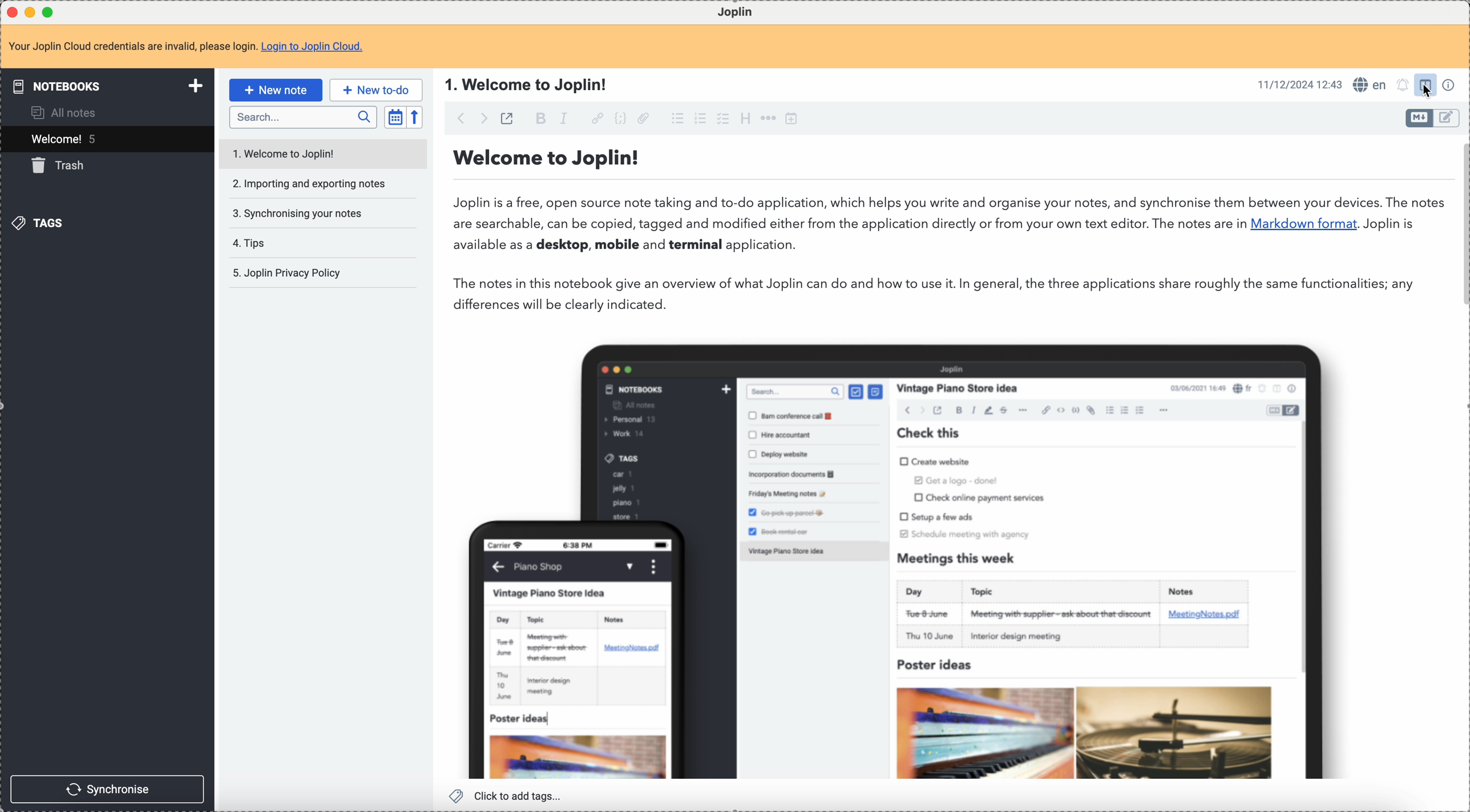 The width and height of the screenshot is (1470, 812). What do you see at coordinates (1299, 84) in the screenshot?
I see `11/12/2024 12:43` at bounding box center [1299, 84].